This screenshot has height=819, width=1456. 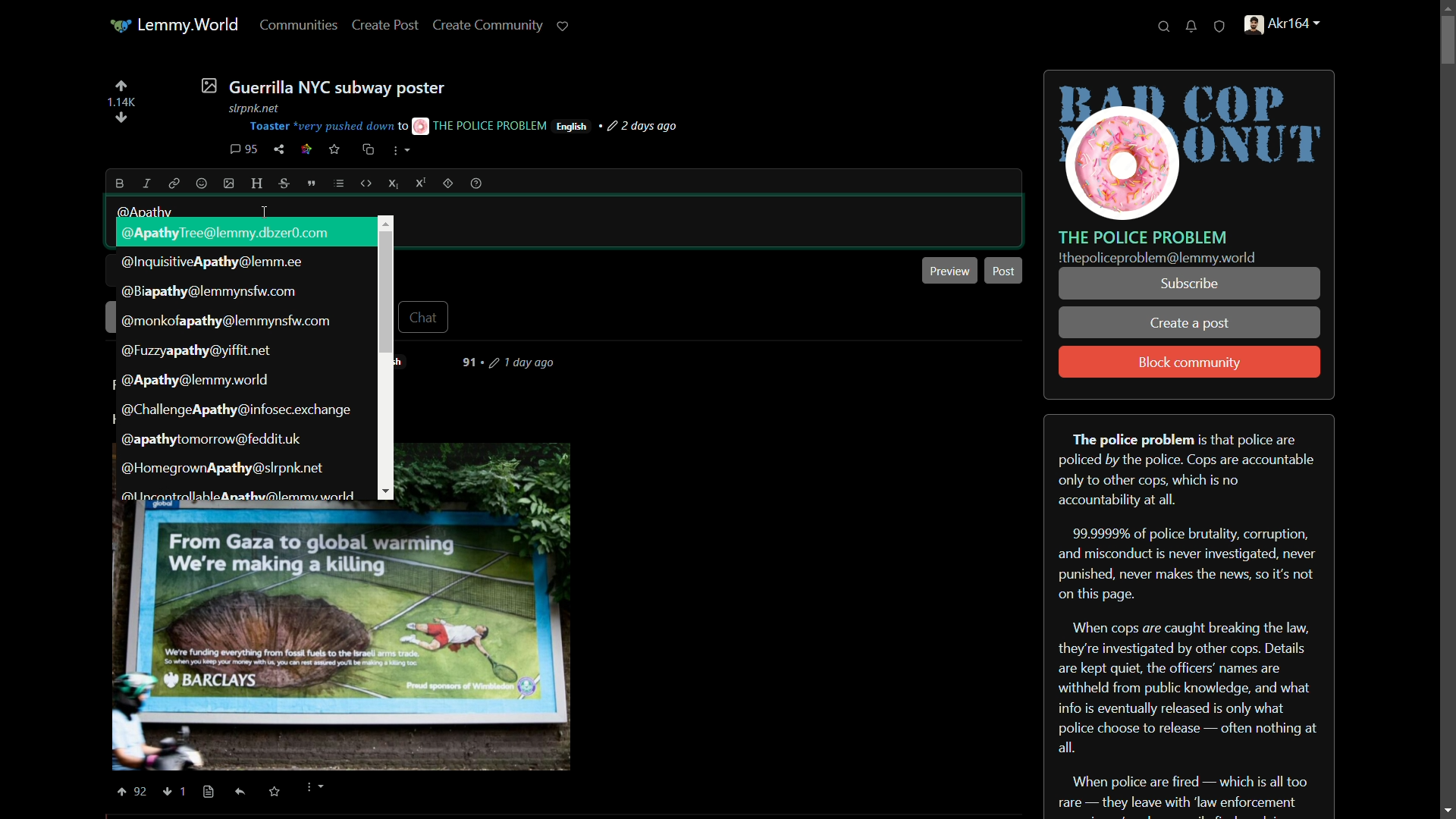 What do you see at coordinates (1220, 27) in the screenshot?
I see `unread reports` at bounding box center [1220, 27].